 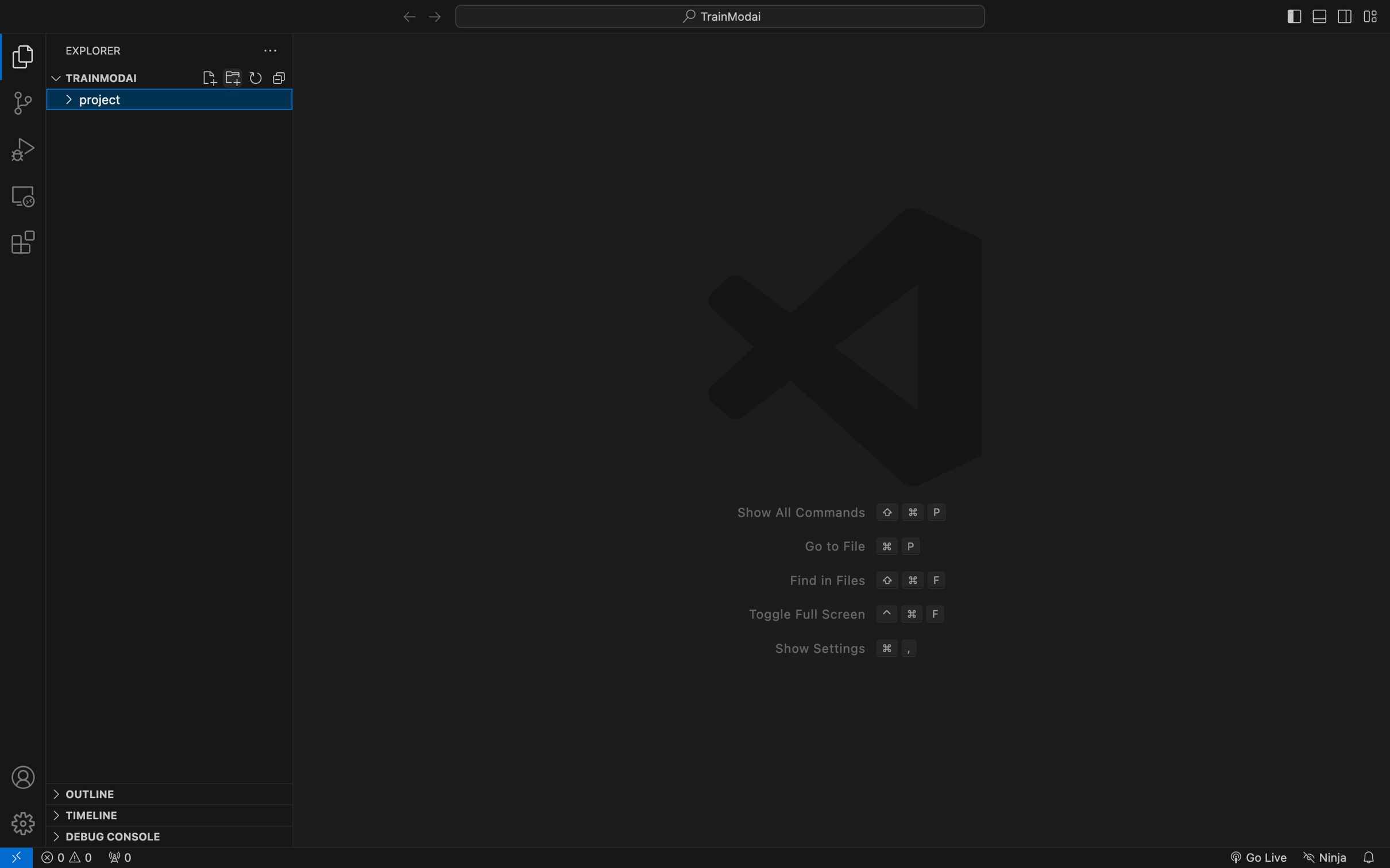 I want to click on toggle bar, so click(x=1294, y=16).